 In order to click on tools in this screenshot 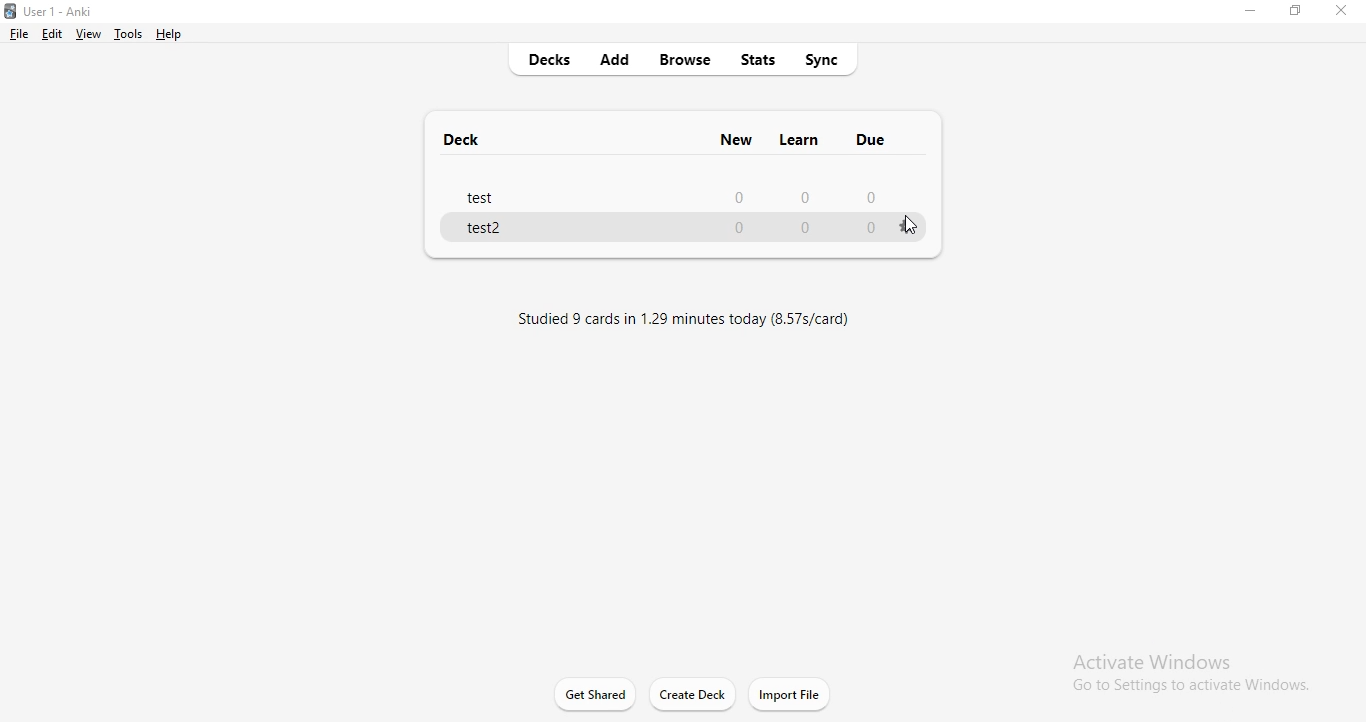, I will do `click(130, 35)`.